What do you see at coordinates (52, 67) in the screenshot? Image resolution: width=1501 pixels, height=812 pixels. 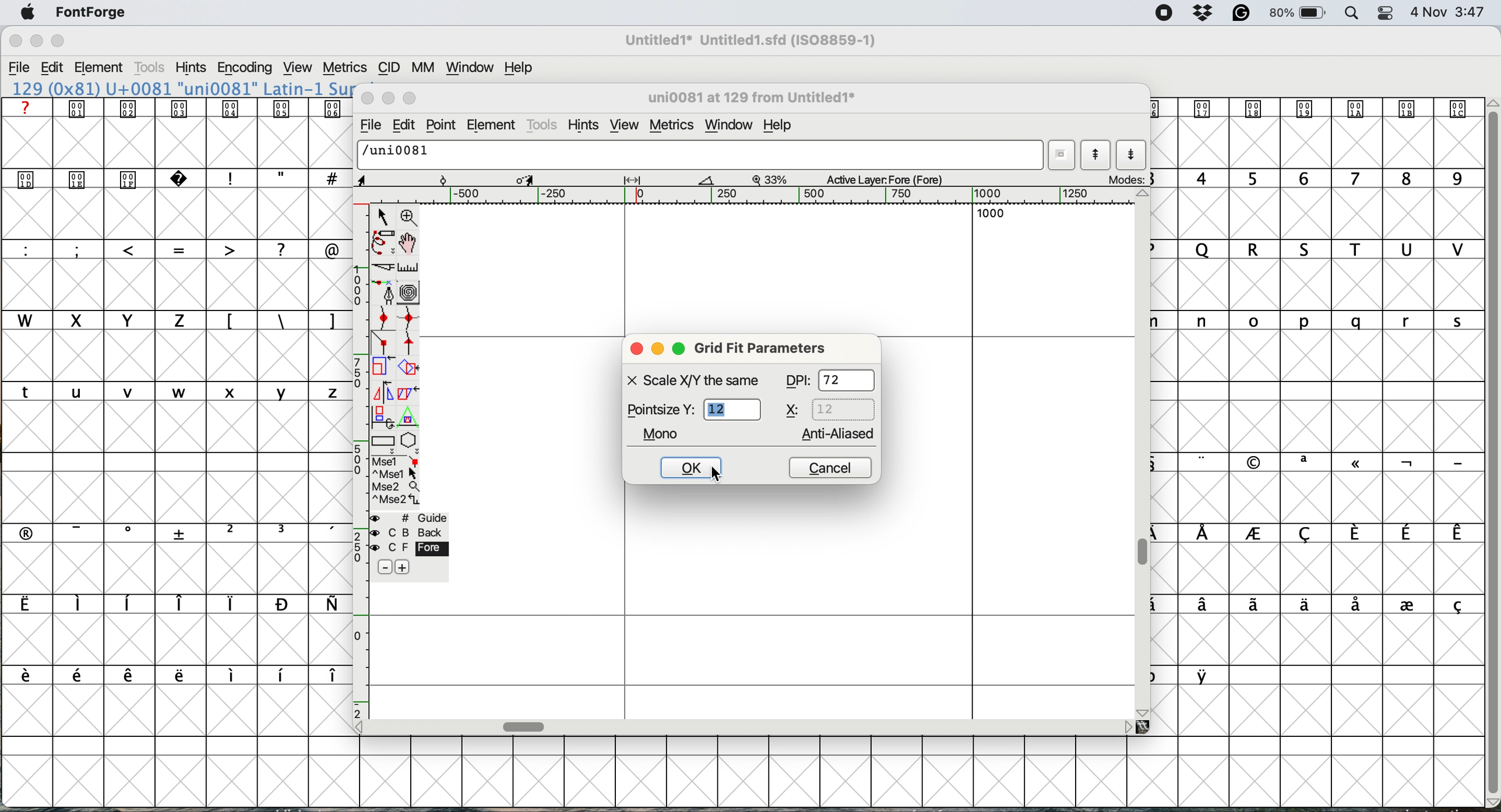 I see `Edit` at bounding box center [52, 67].